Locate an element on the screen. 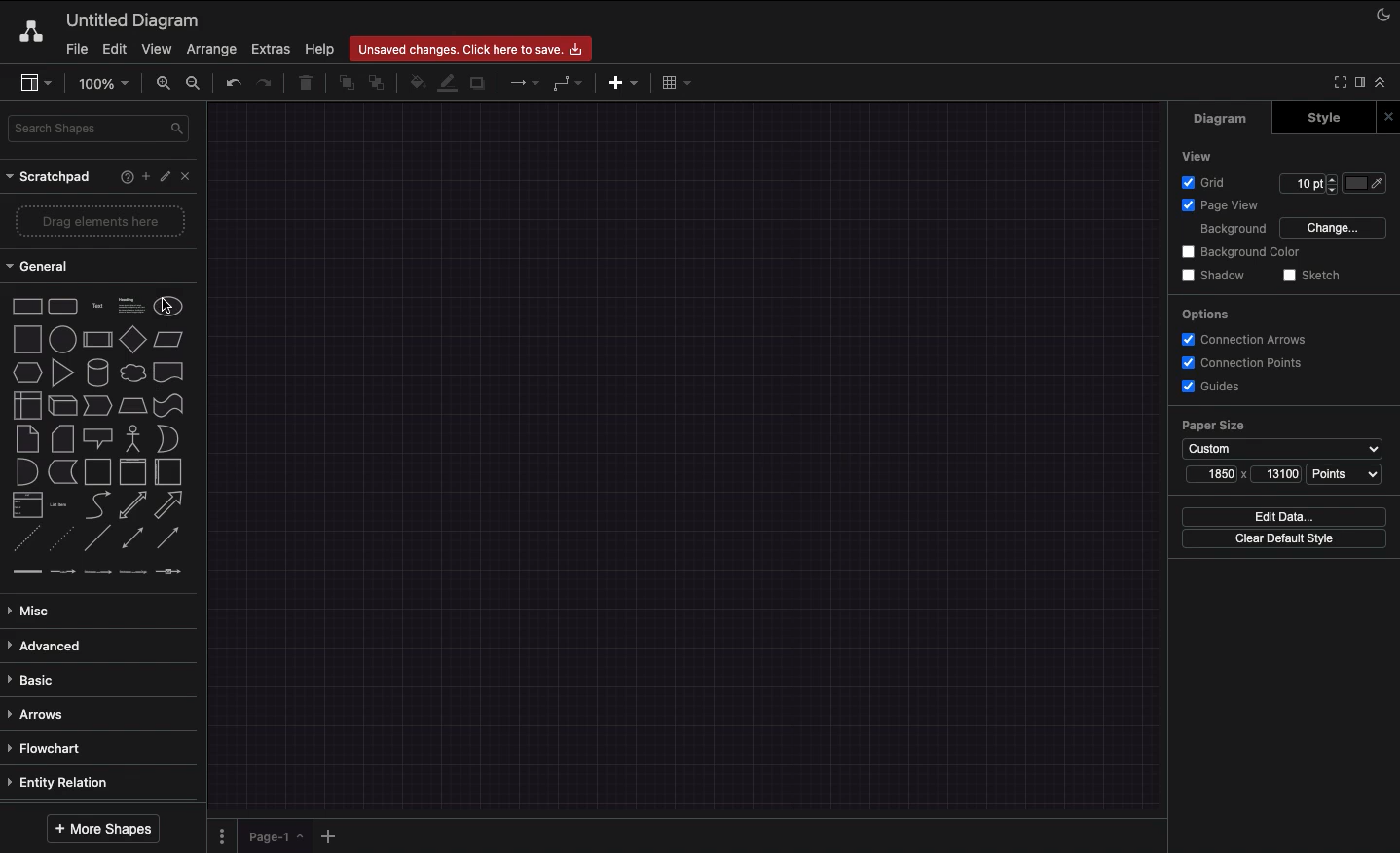  General  is located at coordinates (49, 267).